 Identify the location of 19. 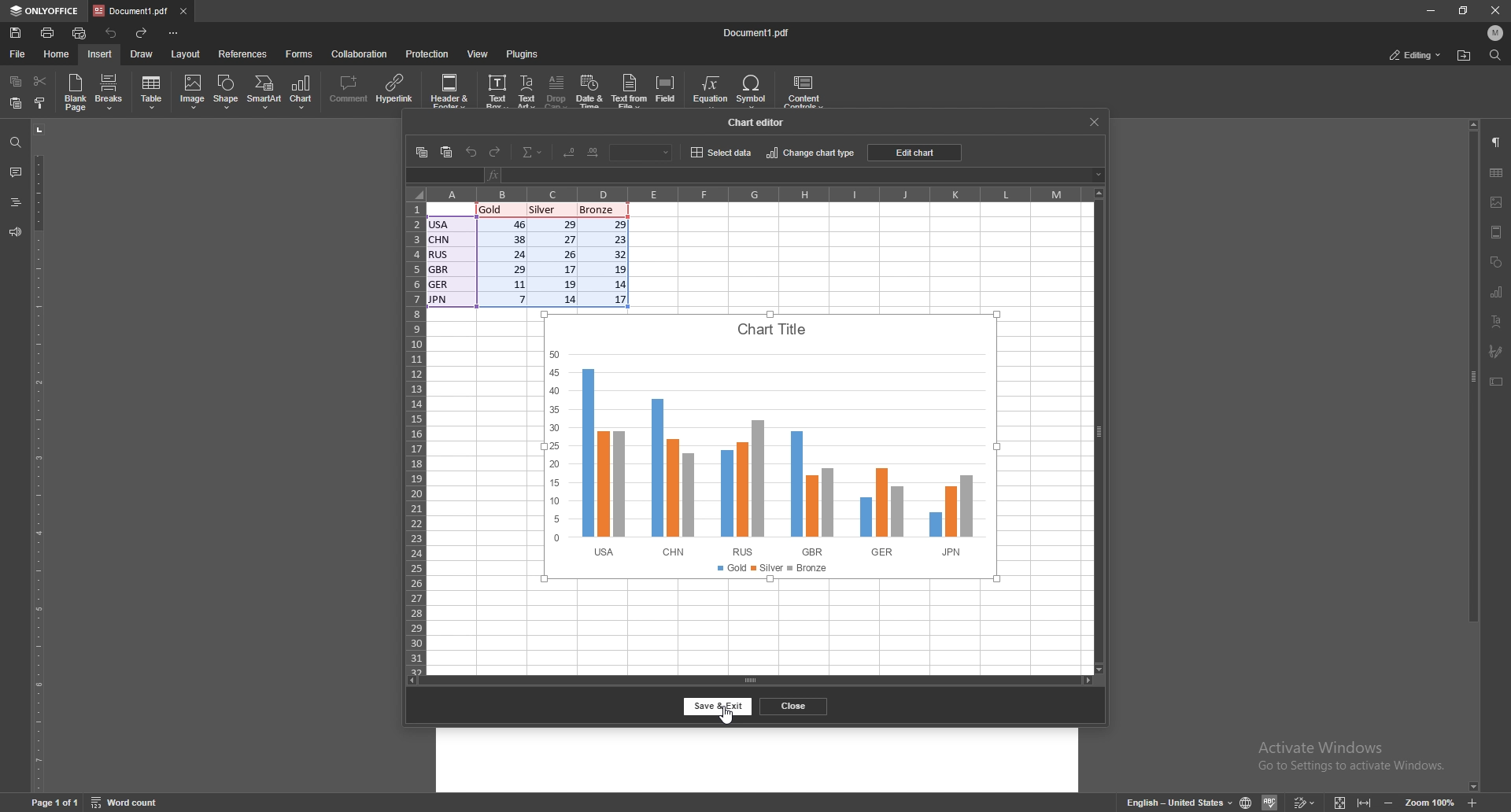
(616, 268).